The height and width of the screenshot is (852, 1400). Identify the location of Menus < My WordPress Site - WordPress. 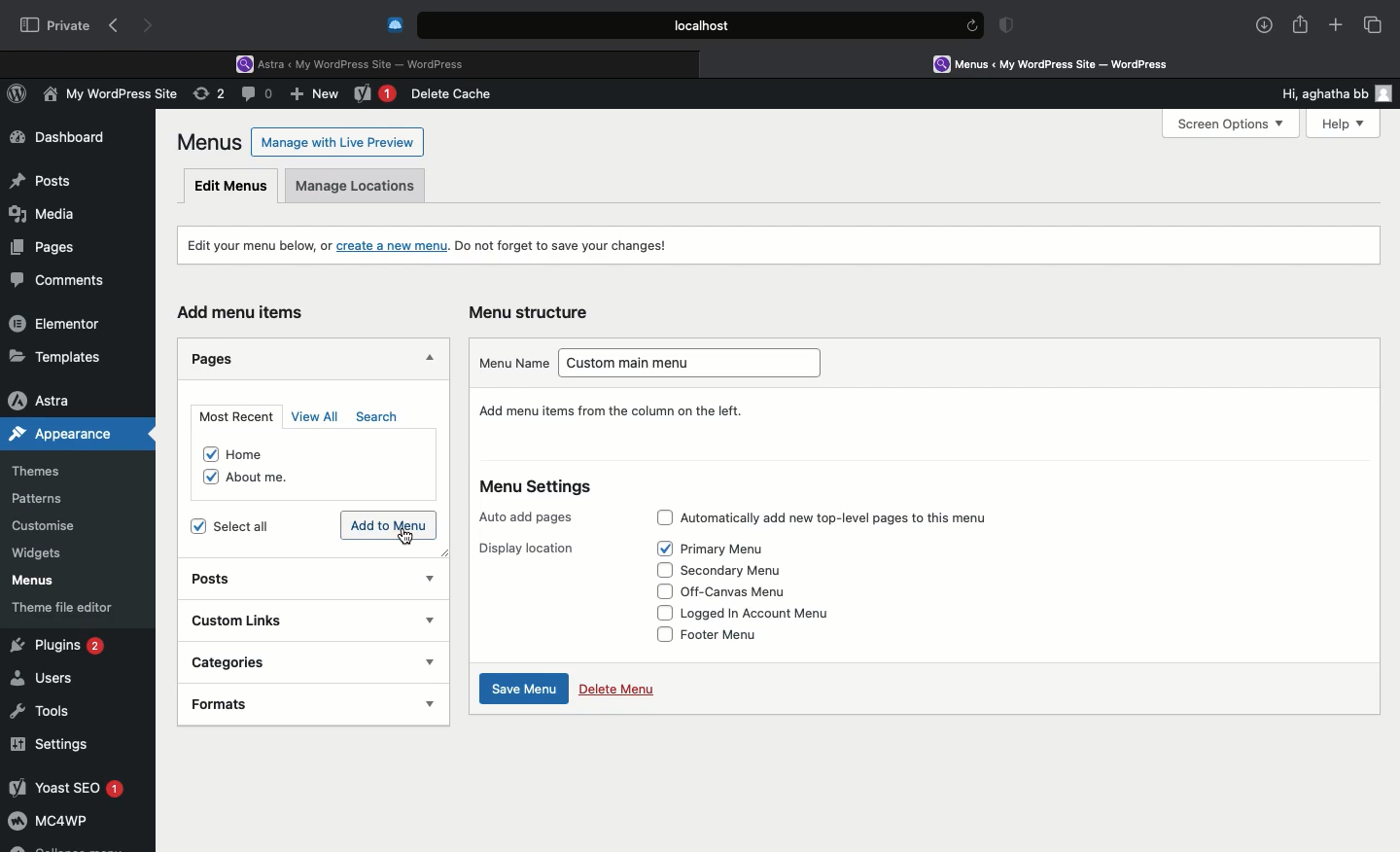
(1066, 63).